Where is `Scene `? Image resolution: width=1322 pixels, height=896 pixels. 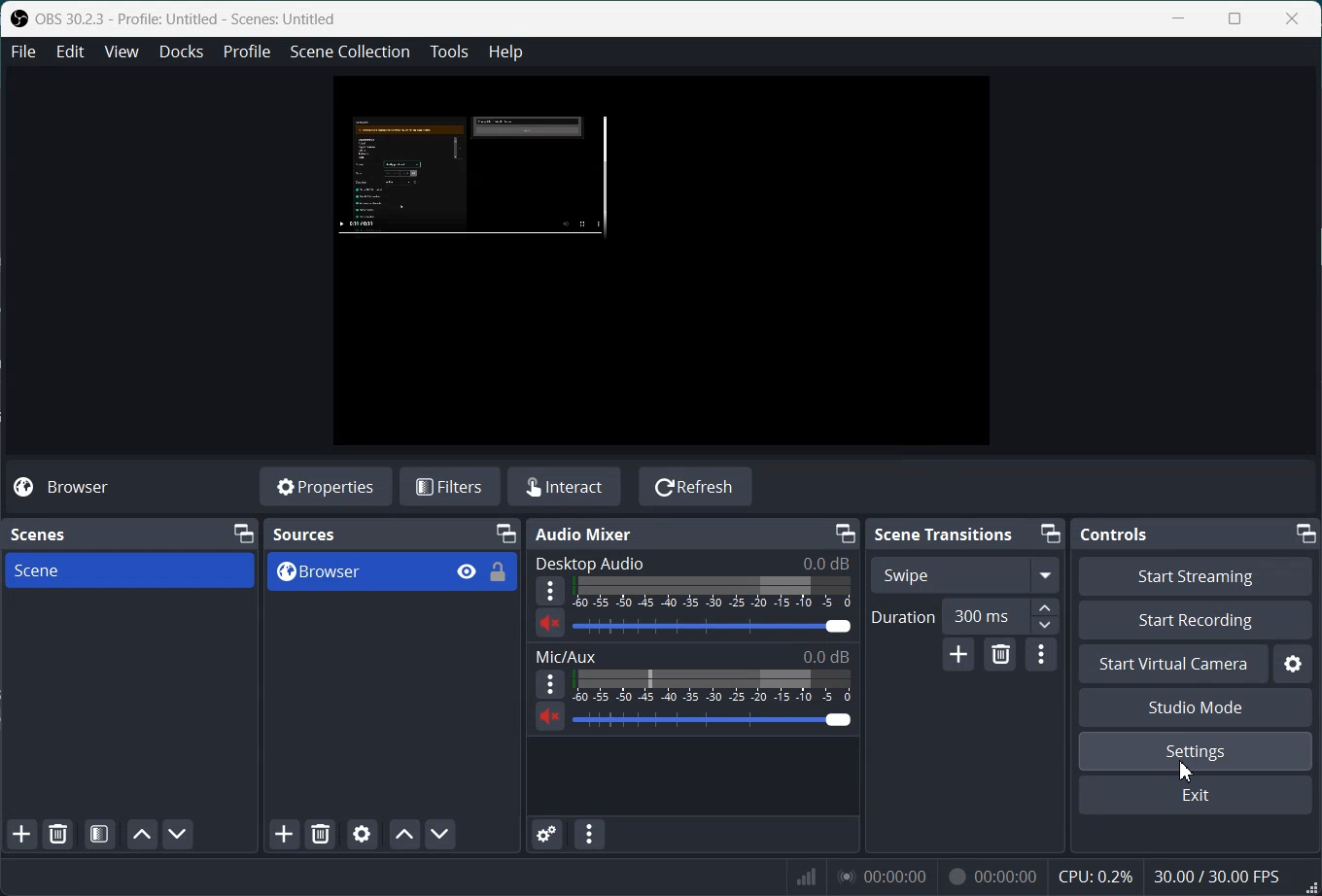
Scene  is located at coordinates (129, 570).